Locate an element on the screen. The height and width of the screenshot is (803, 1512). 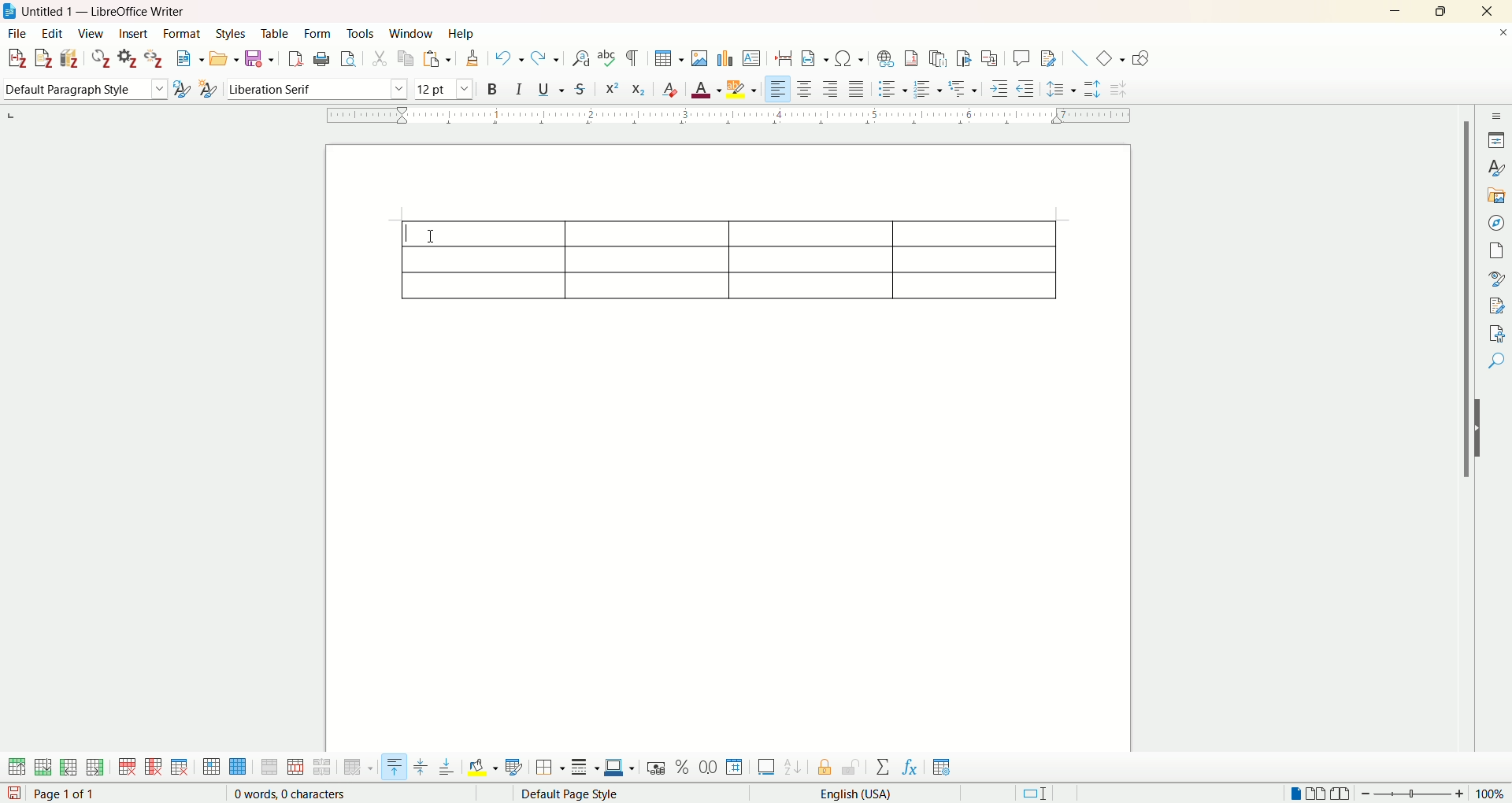
properties is located at coordinates (1495, 142).